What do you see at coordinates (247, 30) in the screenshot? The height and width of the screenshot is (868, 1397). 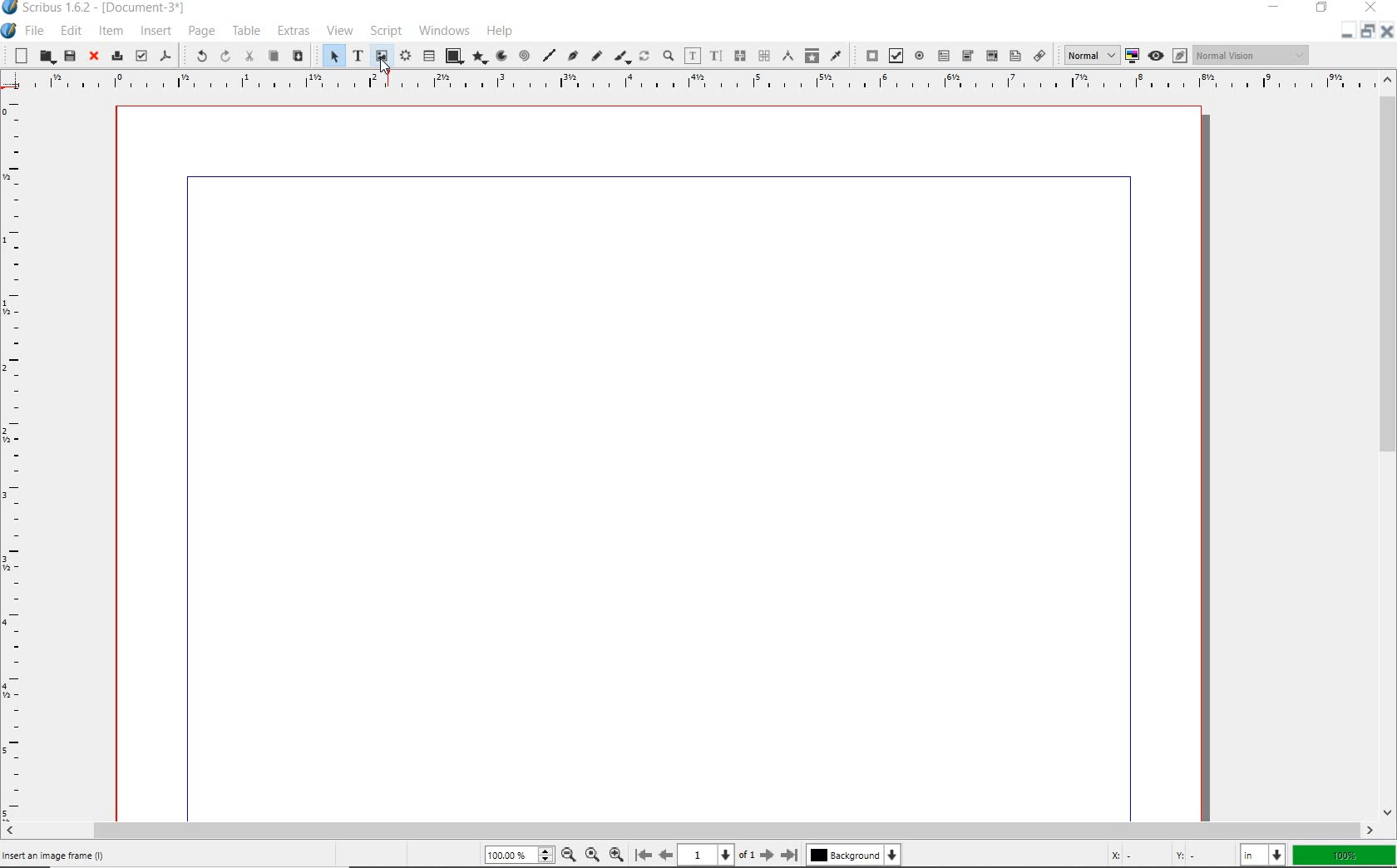 I see `TABLE` at bounding box center [247, 30].